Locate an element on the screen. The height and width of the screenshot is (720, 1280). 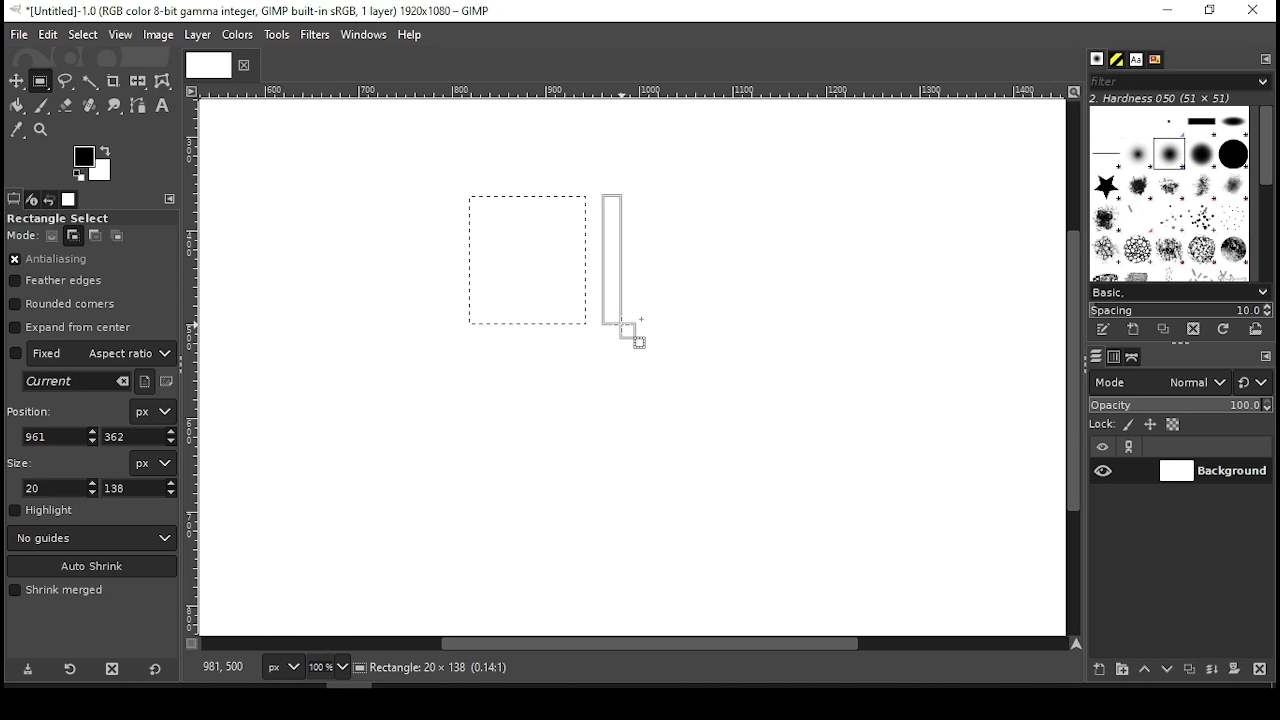
units is located at coordinates (152, 463).